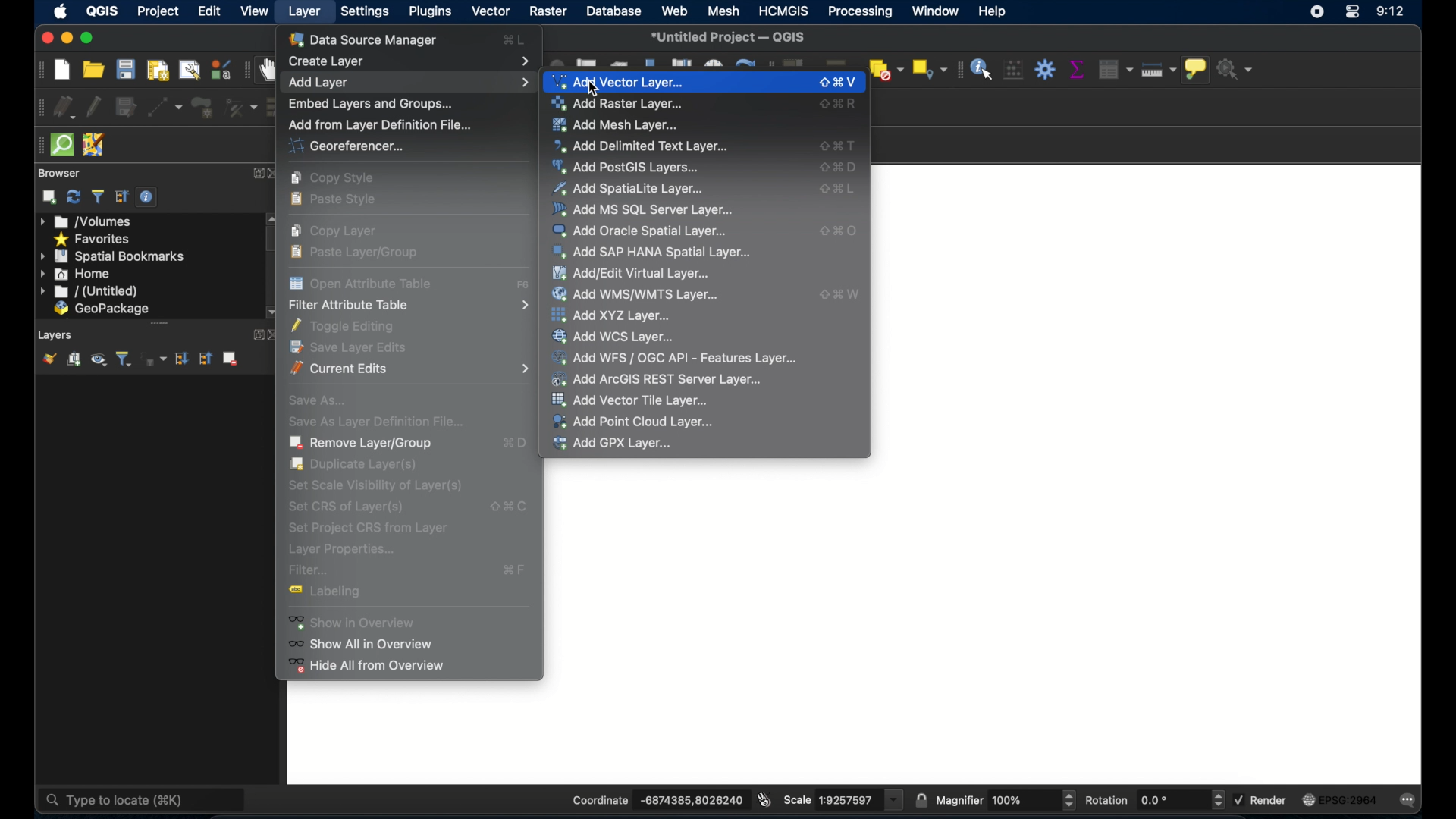  Describe the element at coordinates (381, 103) in the screenshot. I see `Embed Layers and Groups...` at that location.